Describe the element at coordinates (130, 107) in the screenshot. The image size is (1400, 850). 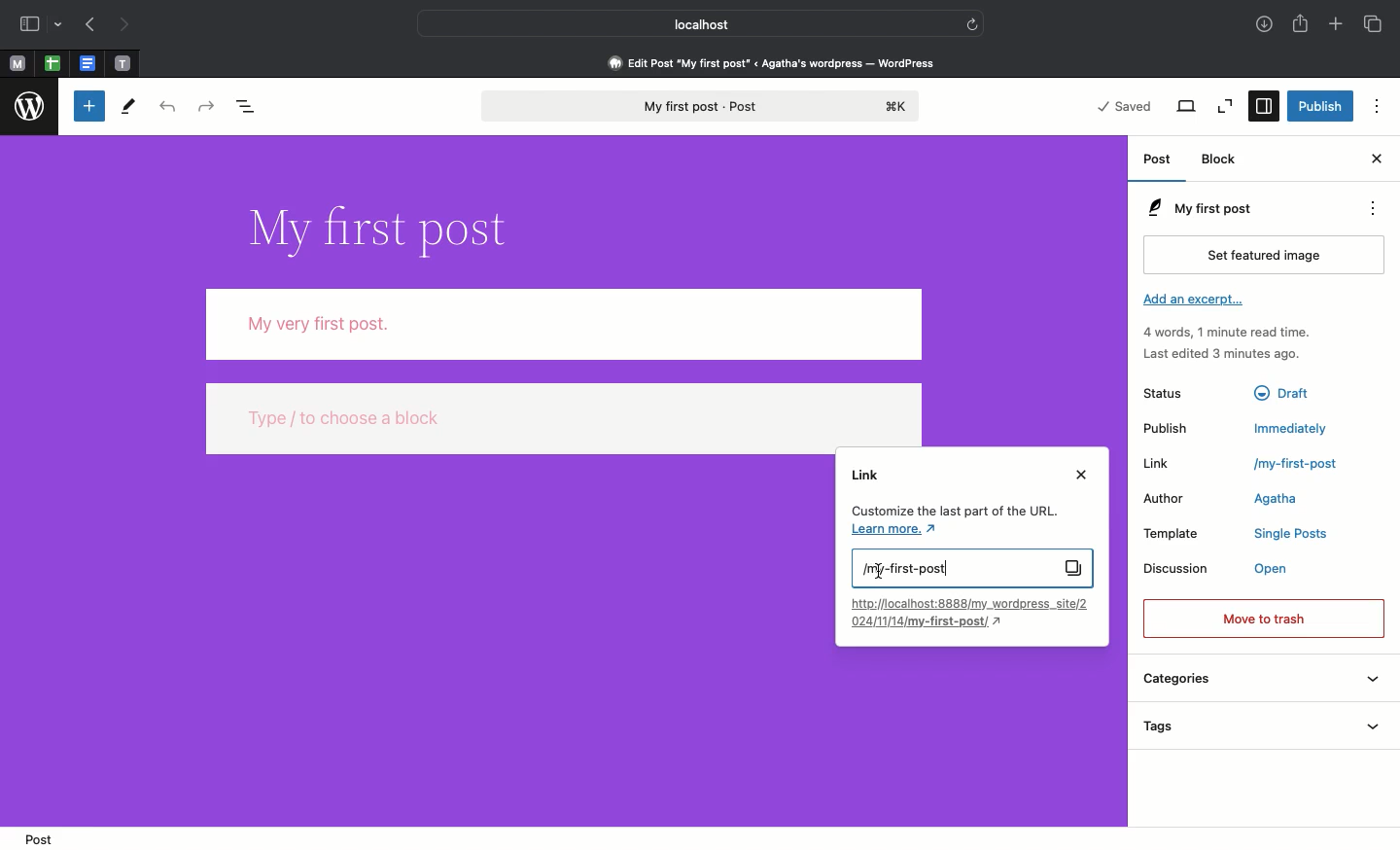
I see `Tools` at that location.